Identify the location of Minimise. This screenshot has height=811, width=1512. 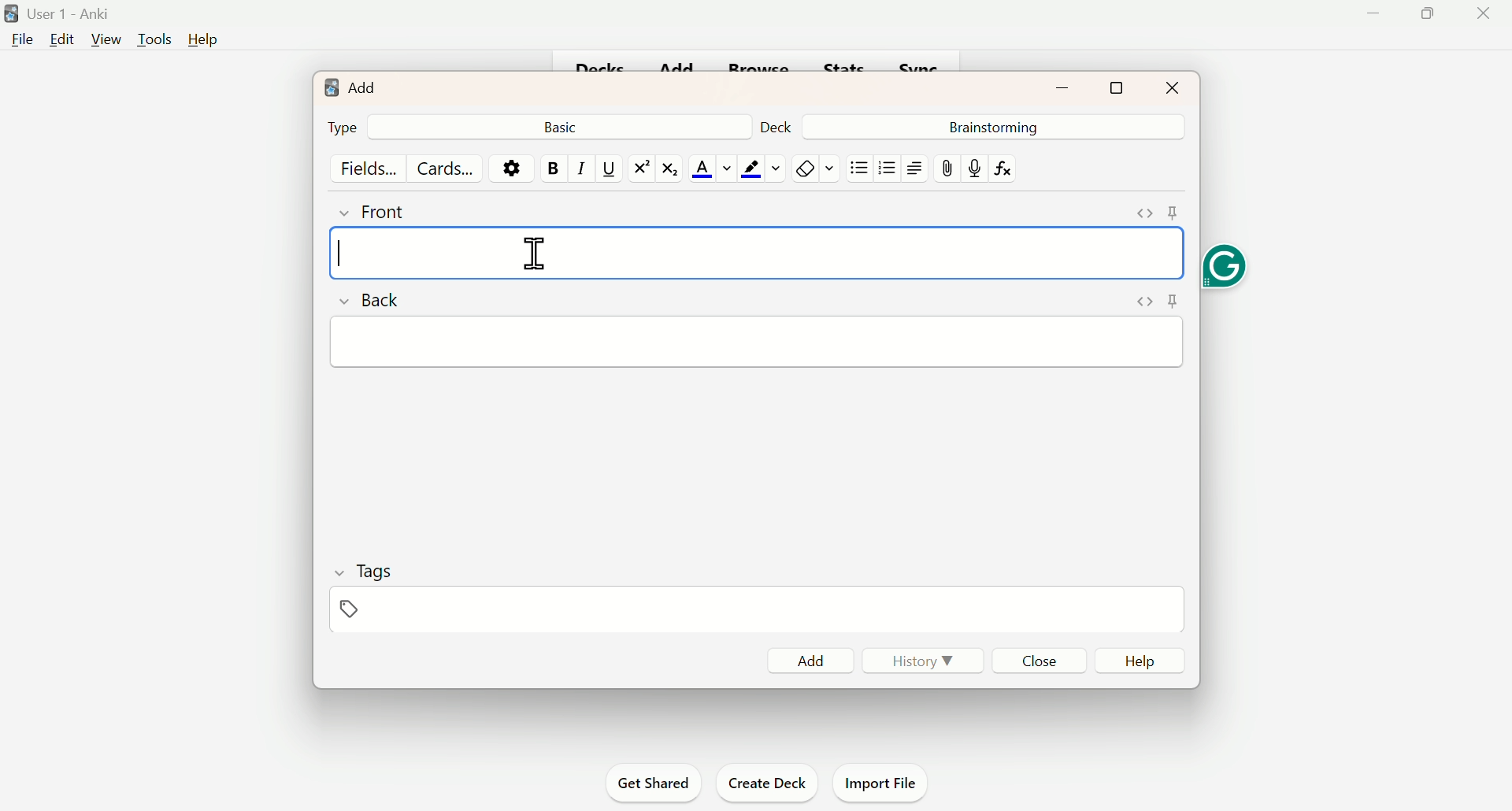
(1371, 19).